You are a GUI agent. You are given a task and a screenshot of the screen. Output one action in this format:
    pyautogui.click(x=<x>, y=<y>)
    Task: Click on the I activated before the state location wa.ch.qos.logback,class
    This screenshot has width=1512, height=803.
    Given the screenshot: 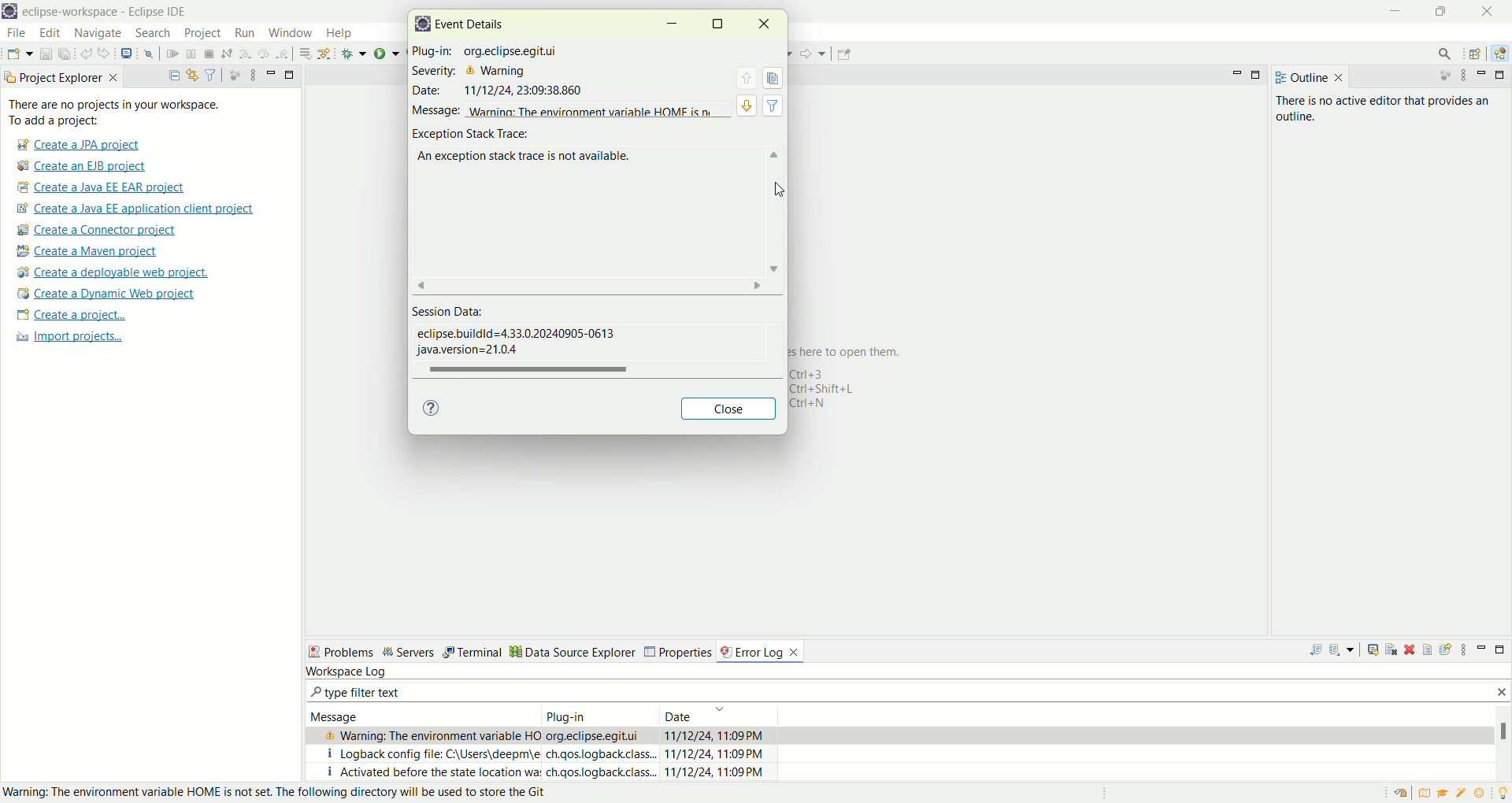 What is the action you would take?
    pyautogui.click(x=483, y=775)
    